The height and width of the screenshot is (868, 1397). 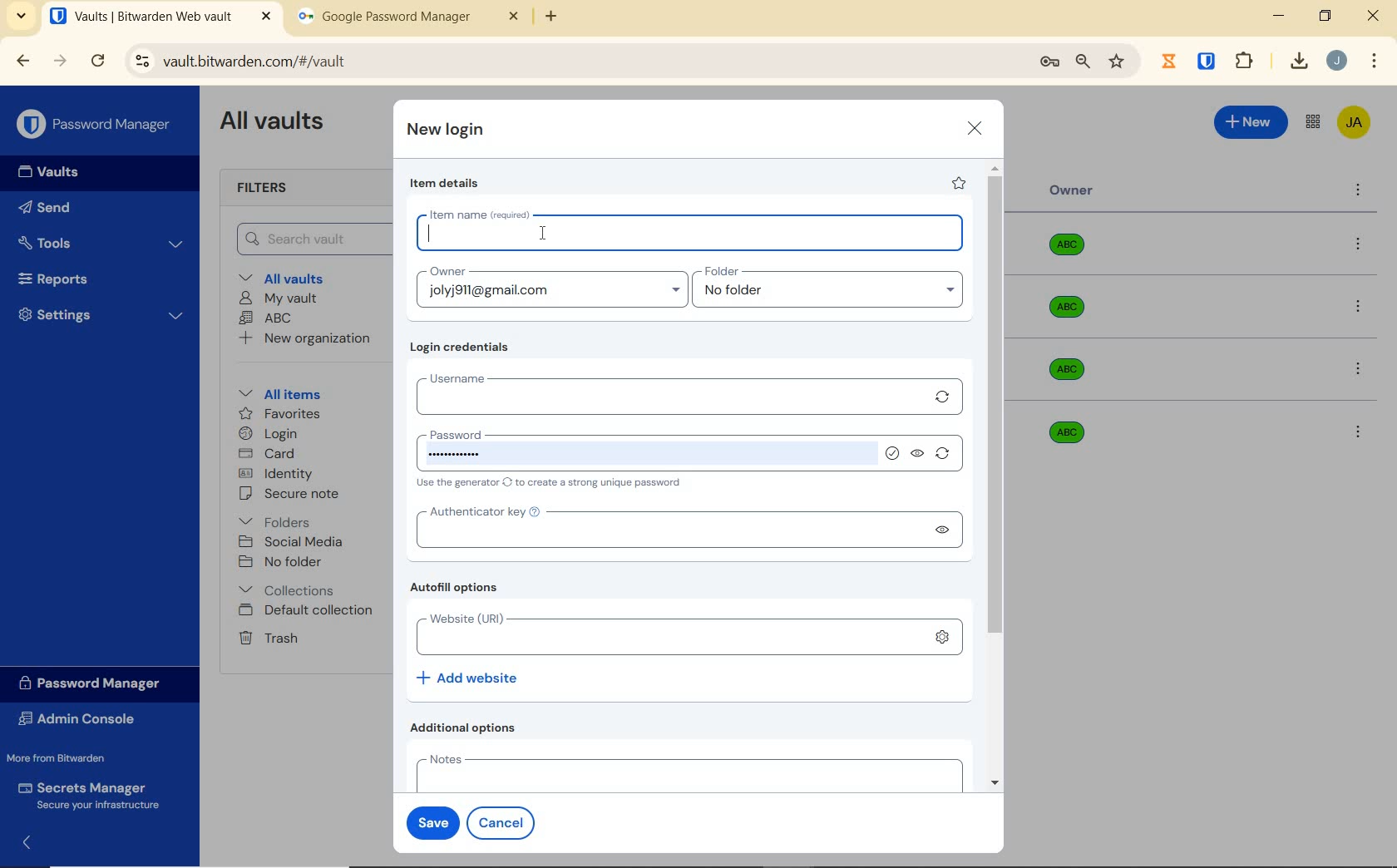 I want to click on collection, so click(x=288, y=590).